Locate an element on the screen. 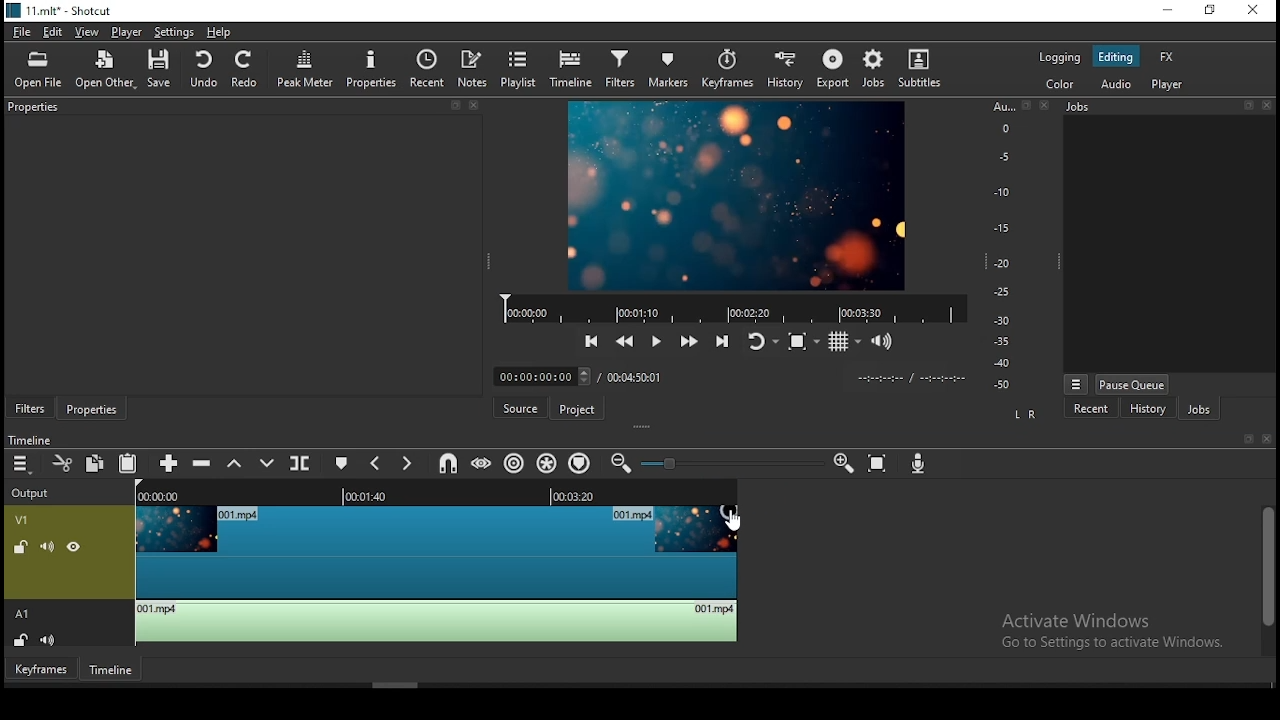 This screenshot has height=720, width=1280. zoom timeline to fit is located at coordinates (878, 464).